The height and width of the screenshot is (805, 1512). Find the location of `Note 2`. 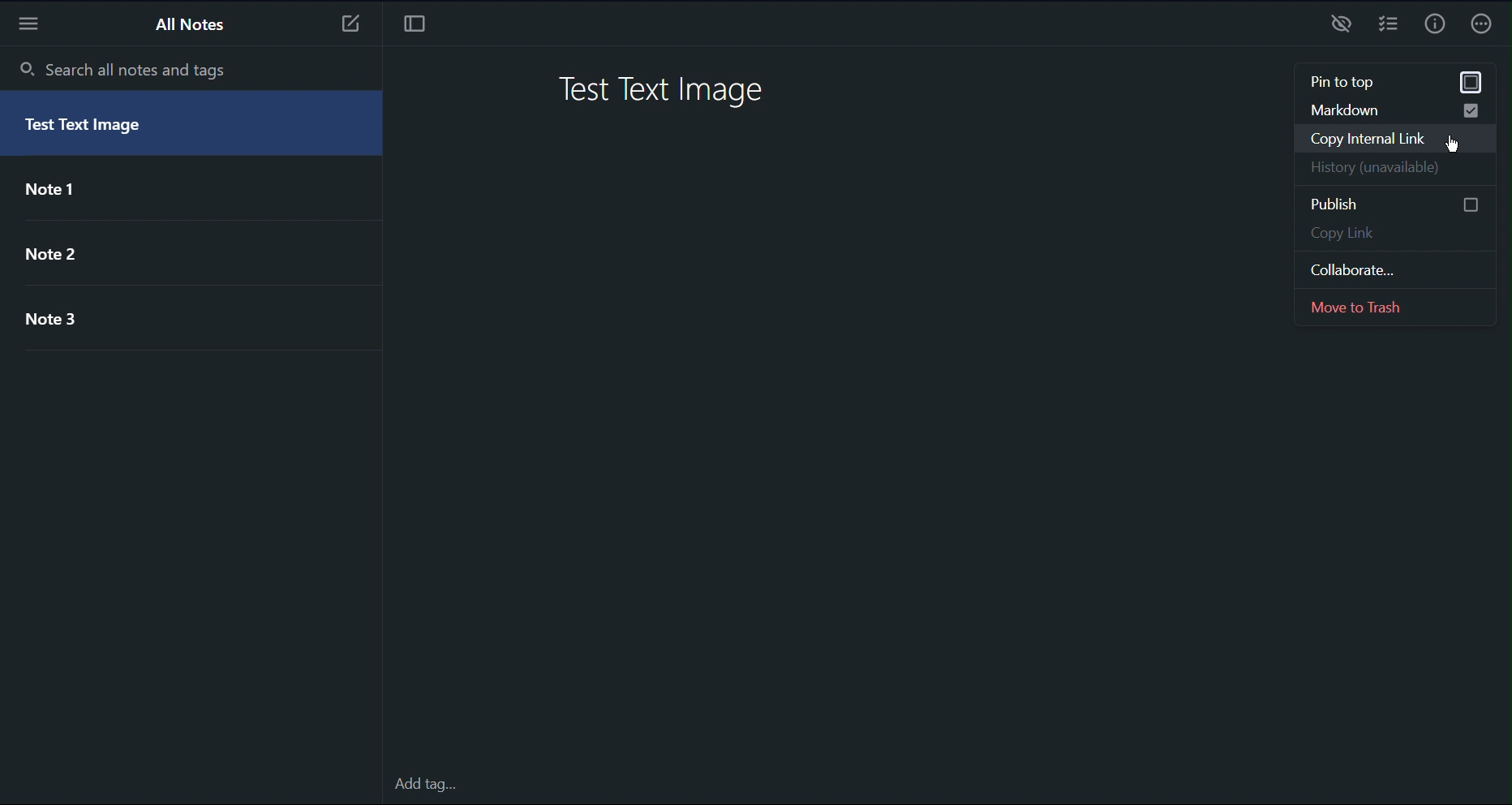

Note 2 is located at coordinates (61, 252).